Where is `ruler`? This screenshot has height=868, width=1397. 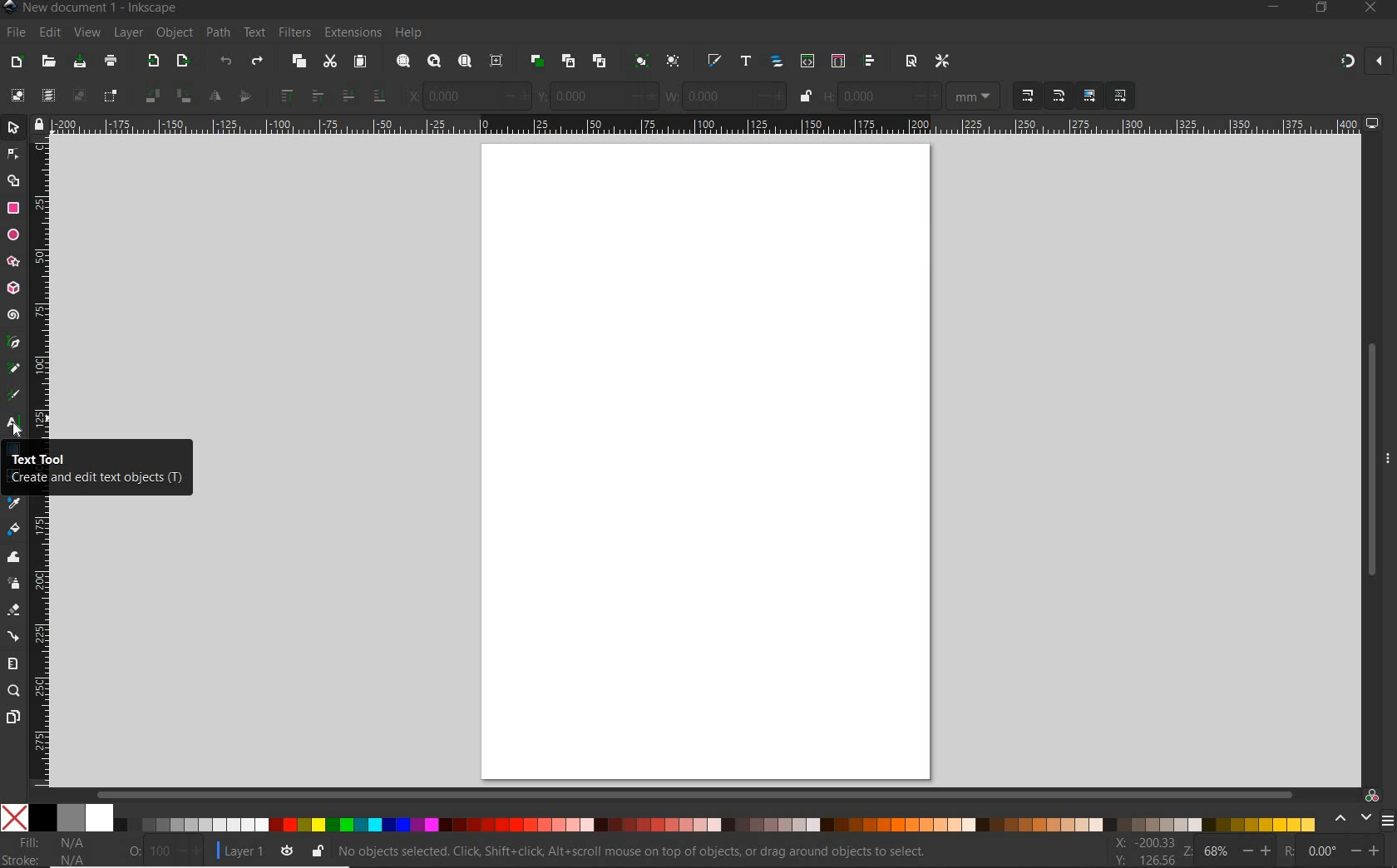
ruler is located at coordinates (41, 287).